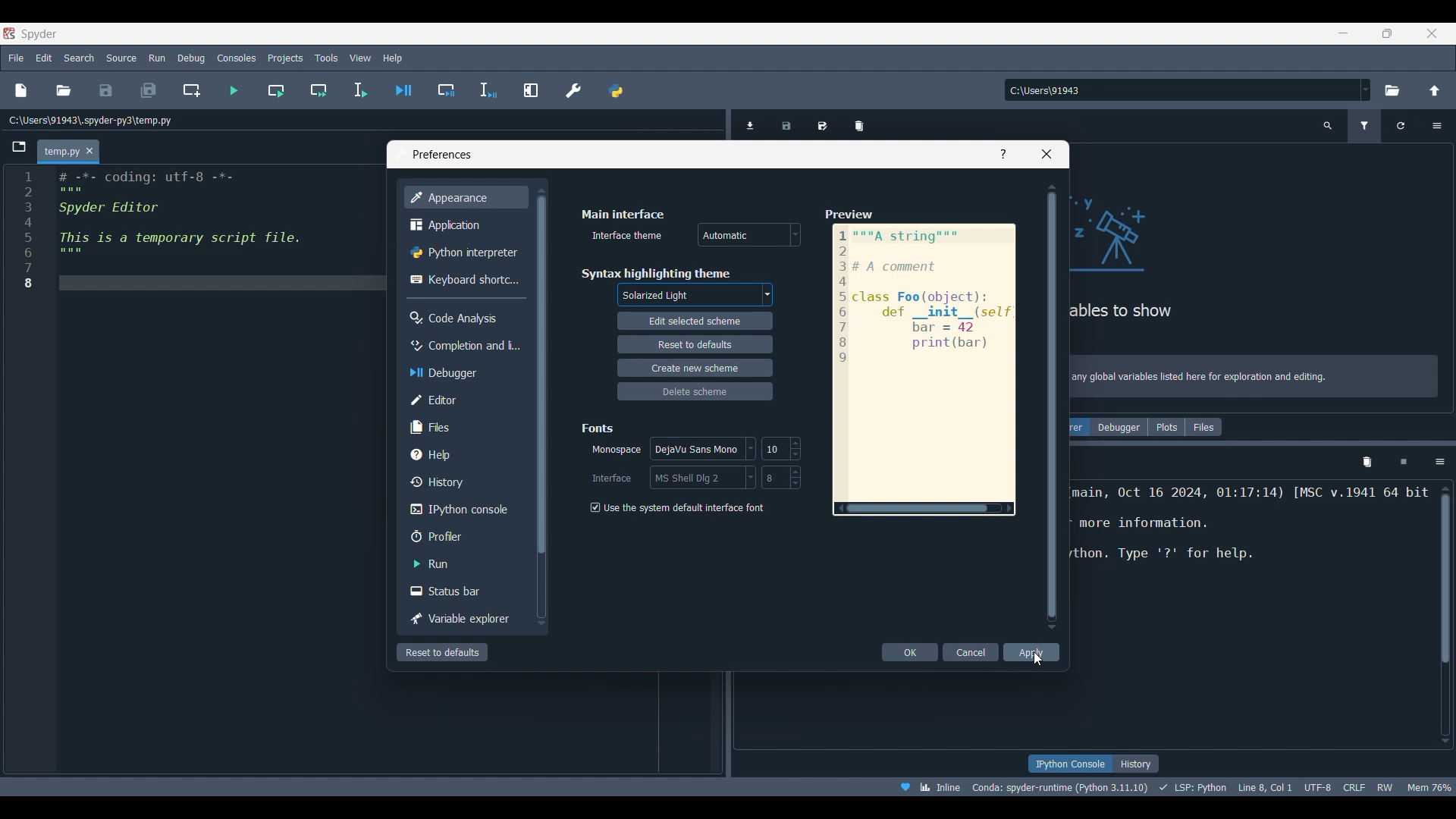  Describe the element at coordinates (1120, 427) in the screenshot. I see `Debugger` at that location.